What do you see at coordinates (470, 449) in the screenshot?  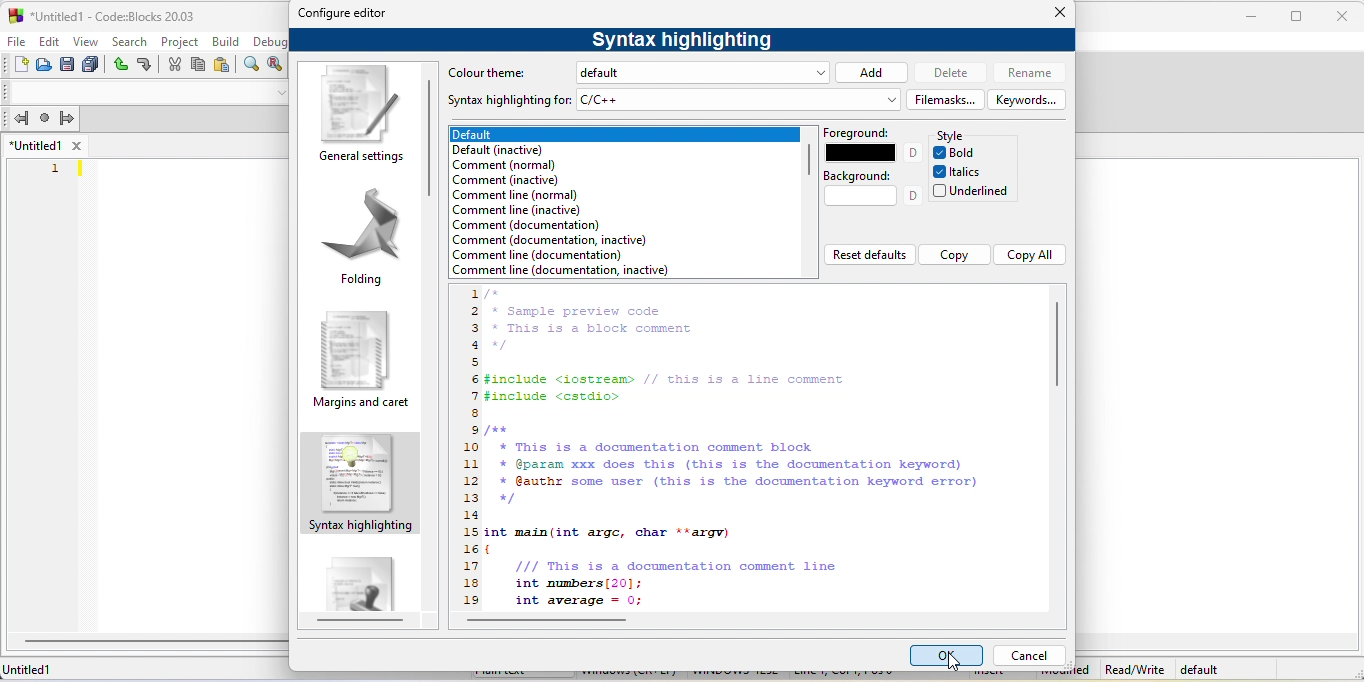 I see `line numbering` at bounding box center [470, 449].